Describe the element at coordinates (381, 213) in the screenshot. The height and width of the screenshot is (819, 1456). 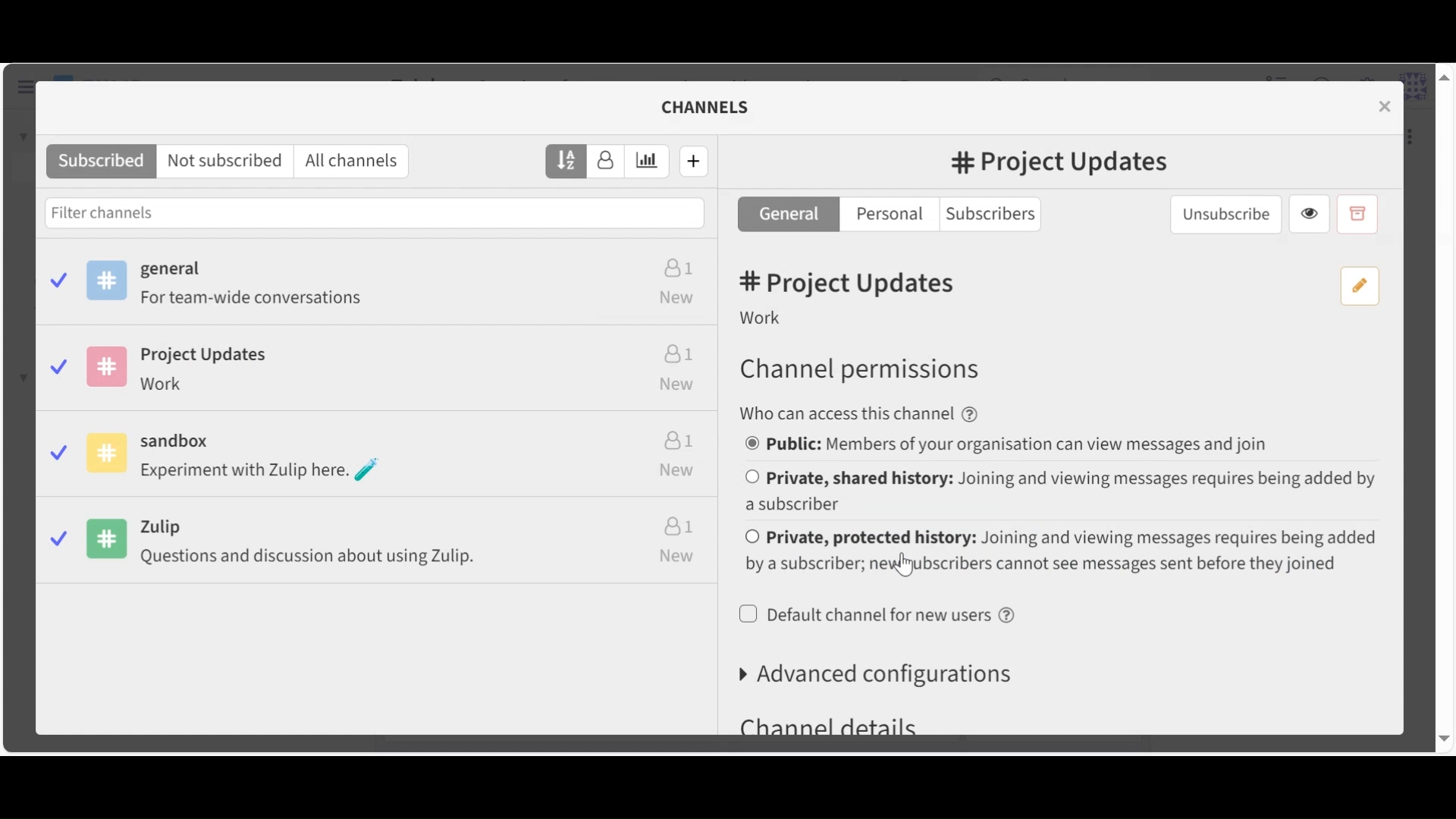
I see `Filter Channels` at that location.